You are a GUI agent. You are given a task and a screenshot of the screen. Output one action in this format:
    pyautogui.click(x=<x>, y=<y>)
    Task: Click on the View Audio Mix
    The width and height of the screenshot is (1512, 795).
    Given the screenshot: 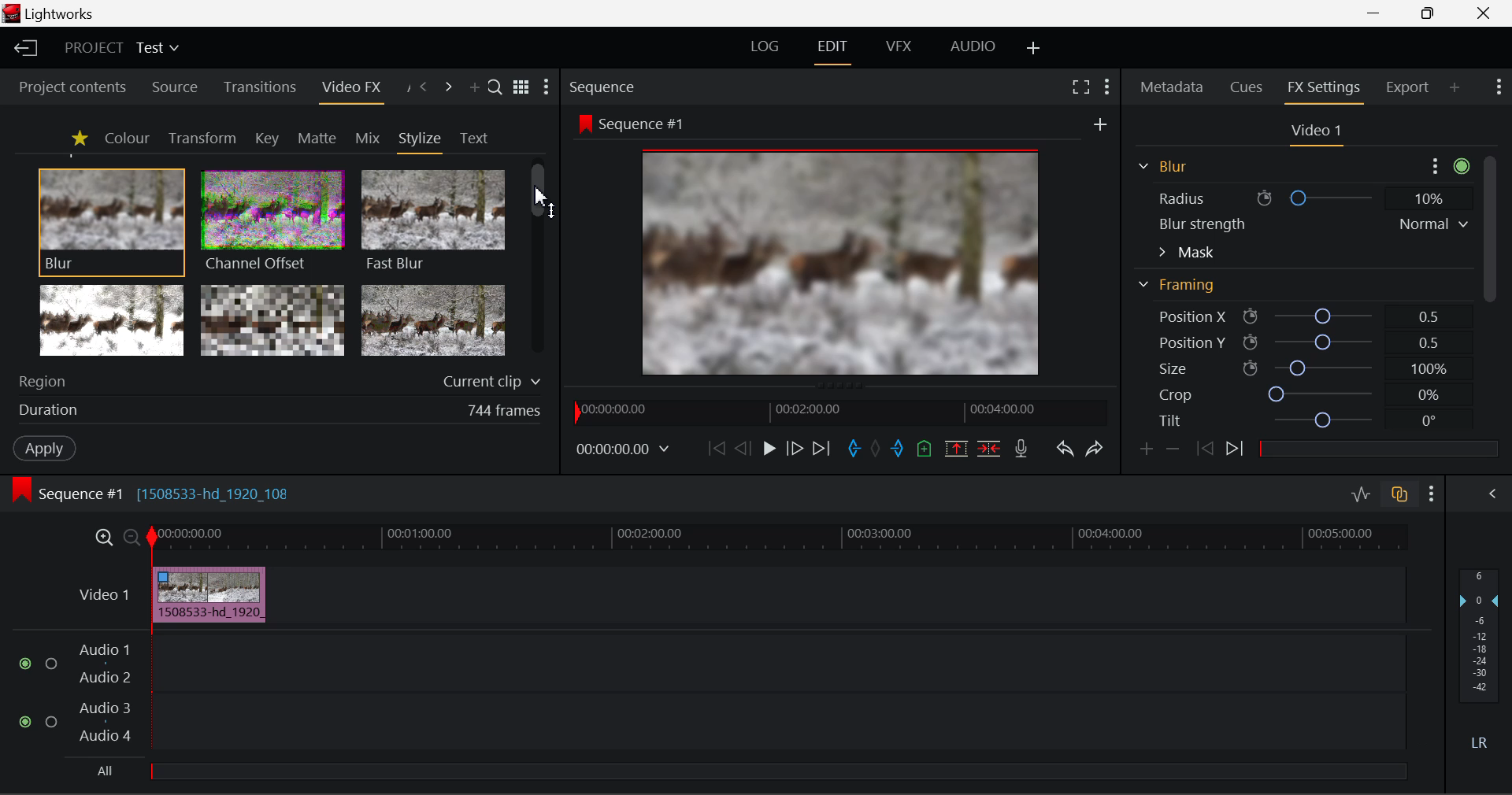 What is the action you would take?
    pyautogui.click(x=1493, y=492)
    